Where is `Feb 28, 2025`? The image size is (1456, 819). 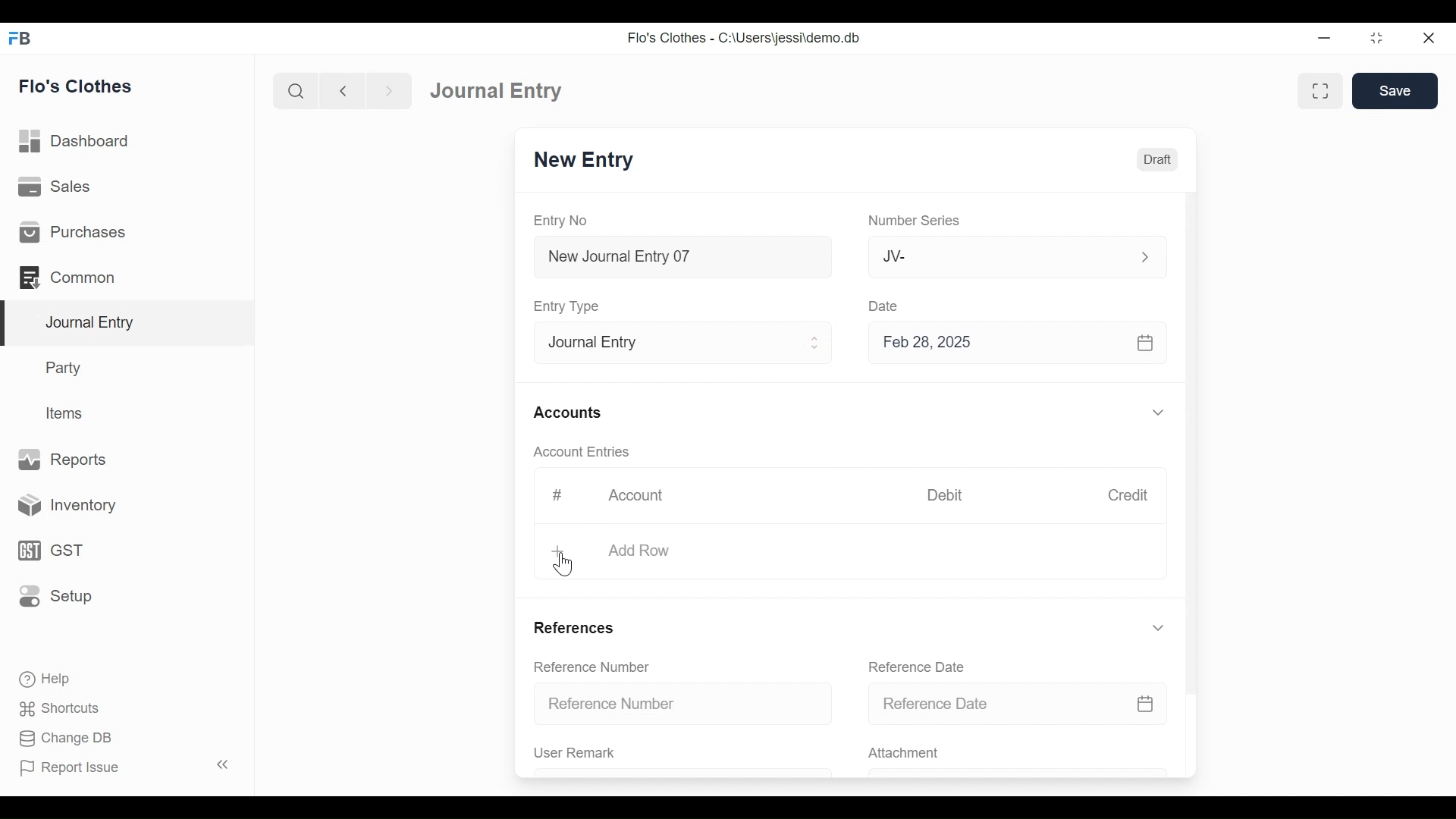 Feb 28, 2025 is located at coordinates (1011, 345).